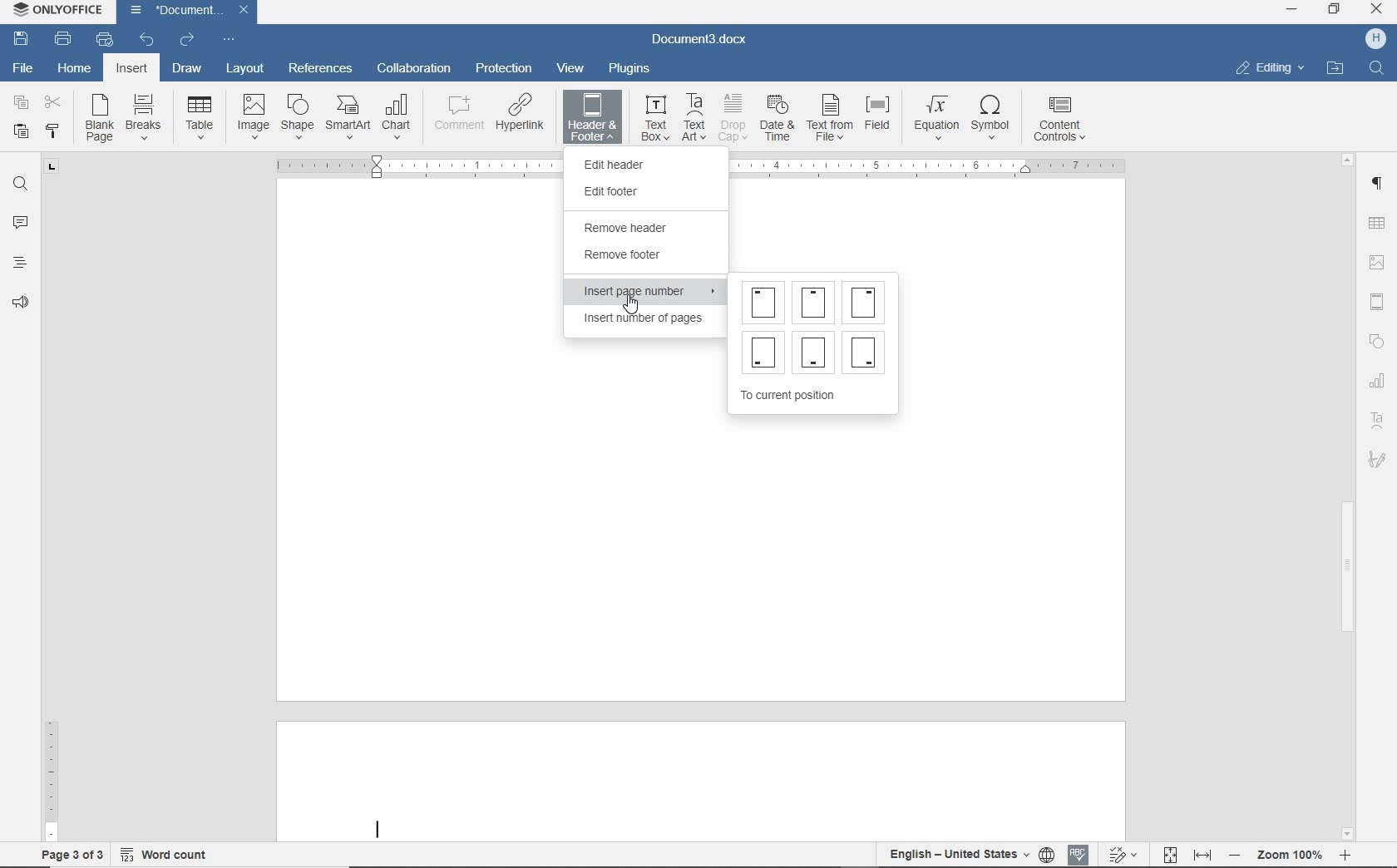 The width and height of the screenshot is (1397, 868). Describe the element at coordinates (22, 130) in the screenshot. I see `PASTE` at that location.